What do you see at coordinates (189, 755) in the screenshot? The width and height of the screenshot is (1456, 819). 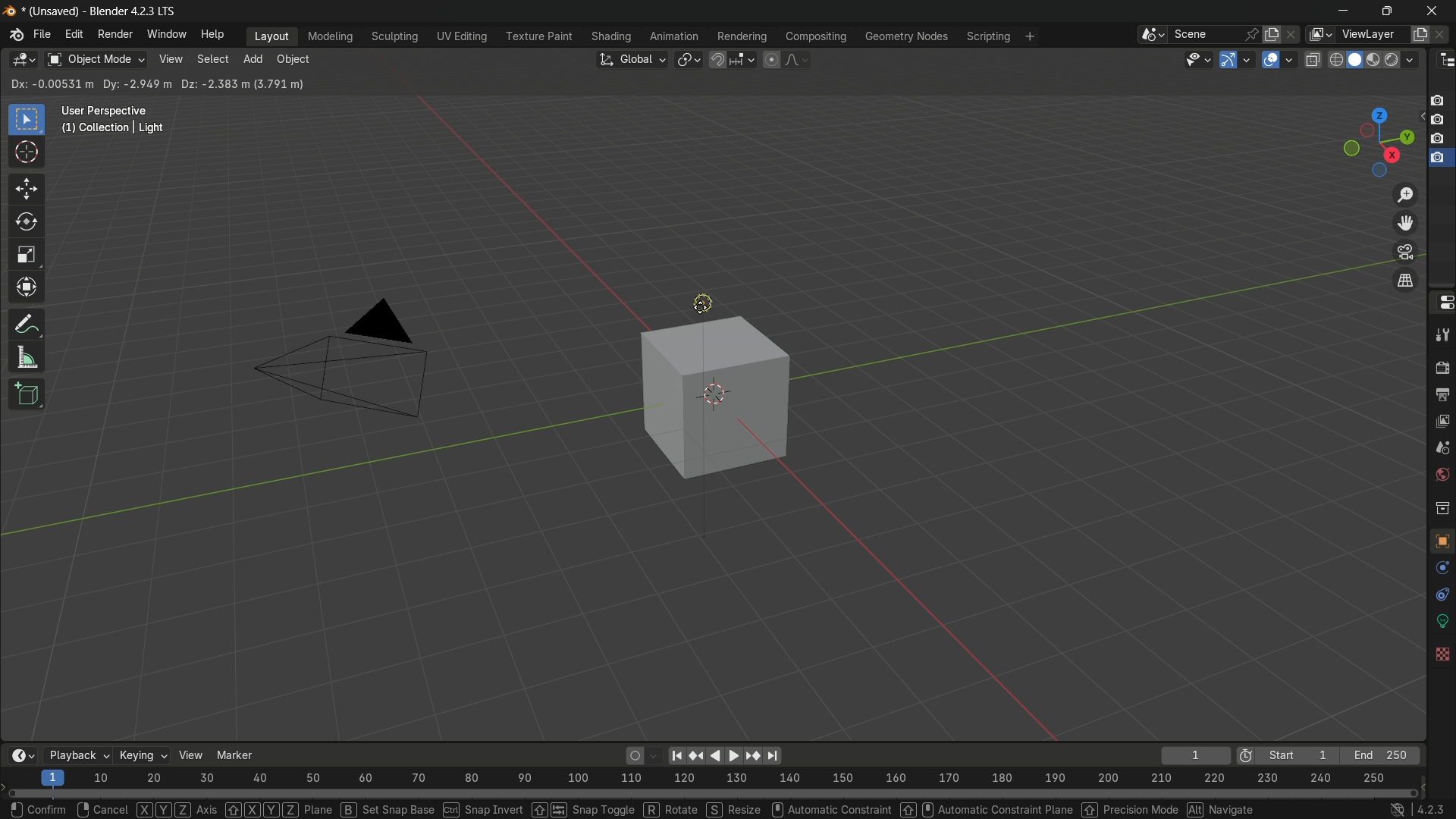 I see `view` at bounding box center [189, 755].